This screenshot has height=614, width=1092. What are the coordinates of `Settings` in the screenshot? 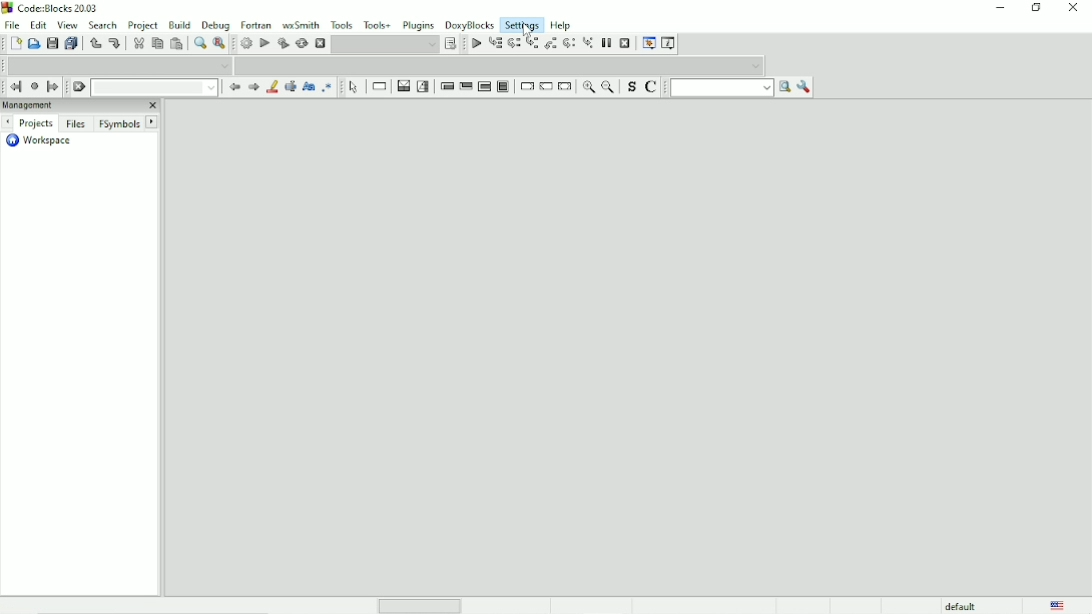 It's located at (523, 25).